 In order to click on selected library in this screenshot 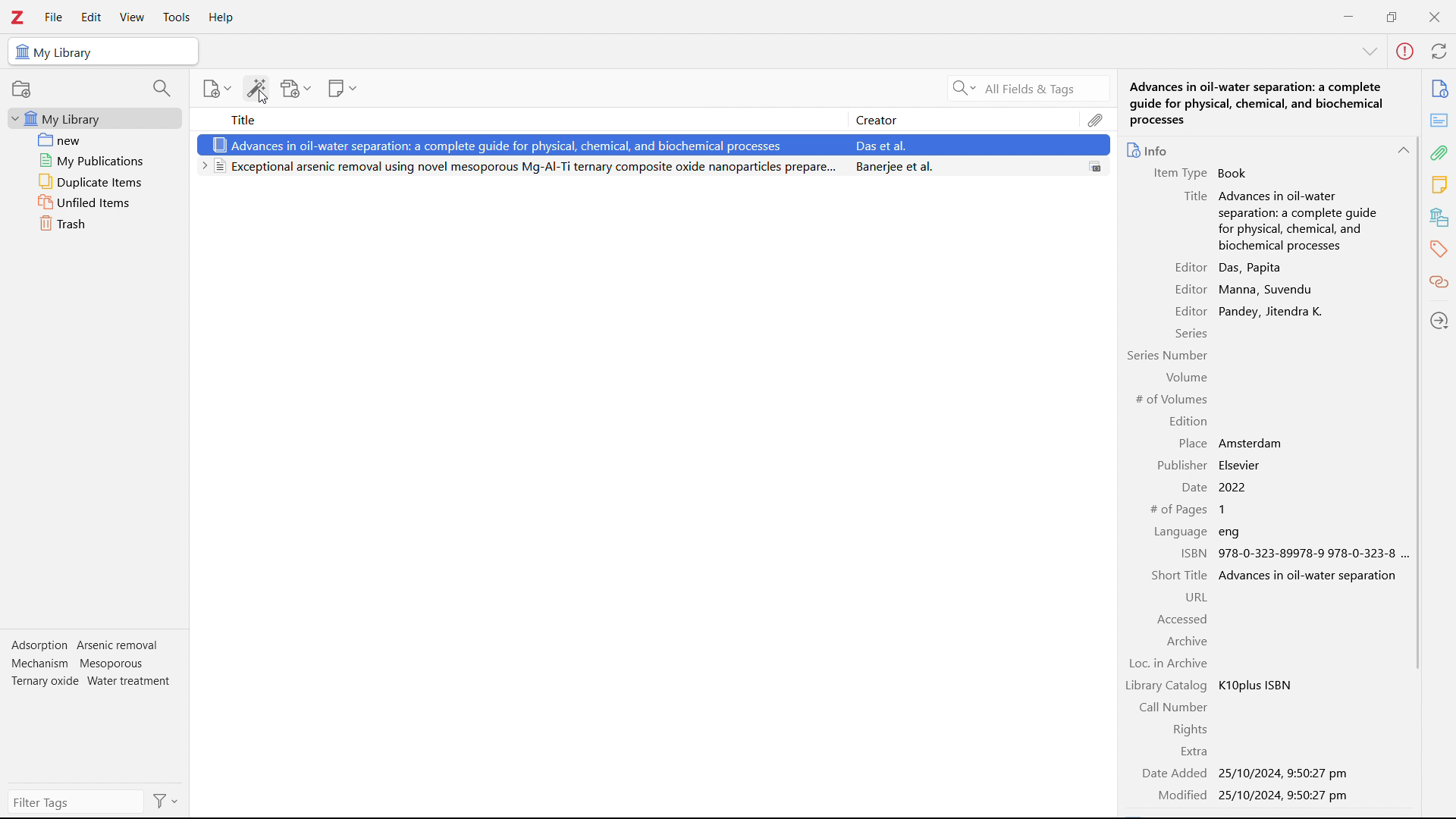, I will do `click(102, 52)`.